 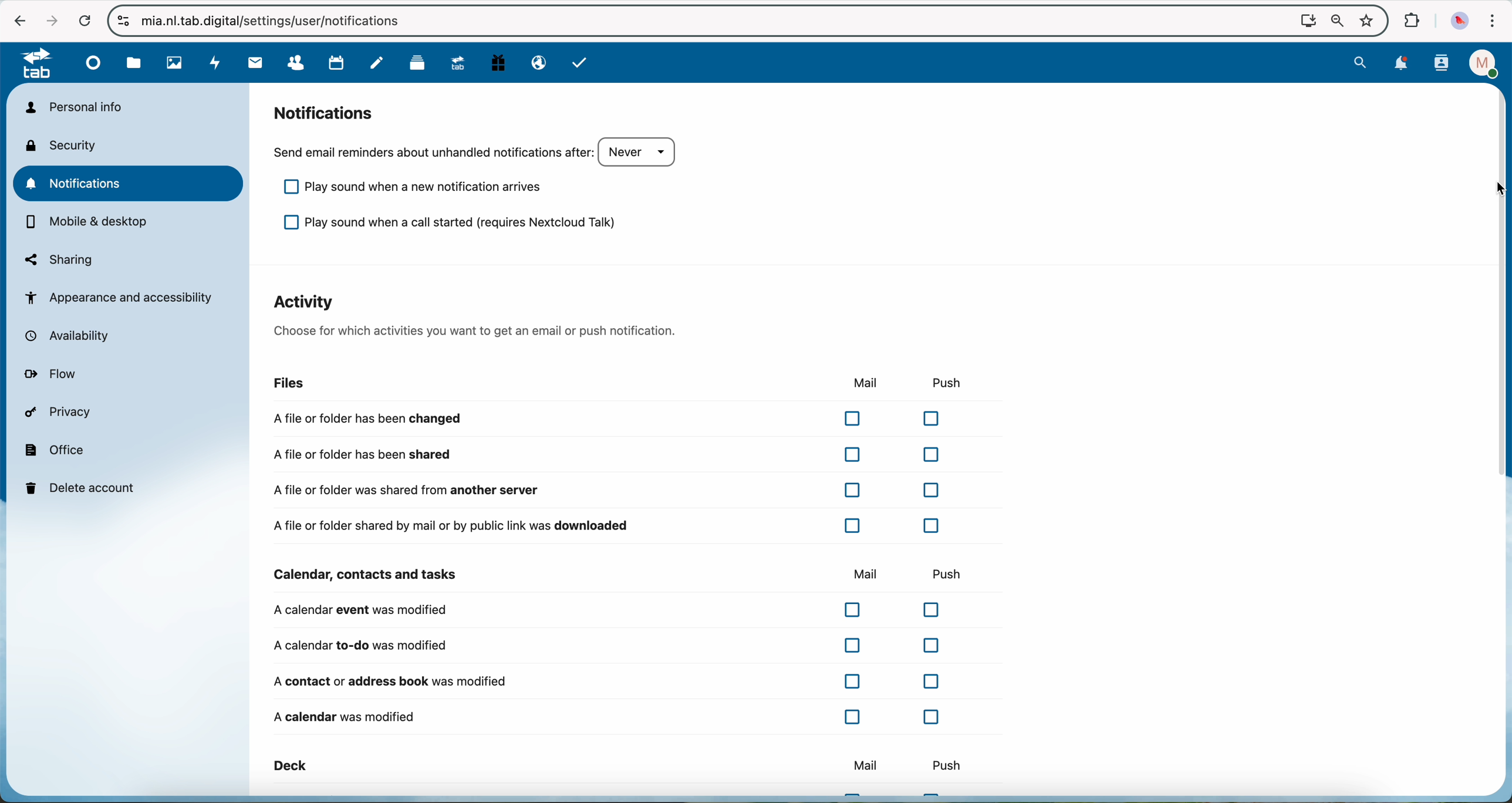 I want to click on Install NExtcloud, so click(x=1305, y=20).